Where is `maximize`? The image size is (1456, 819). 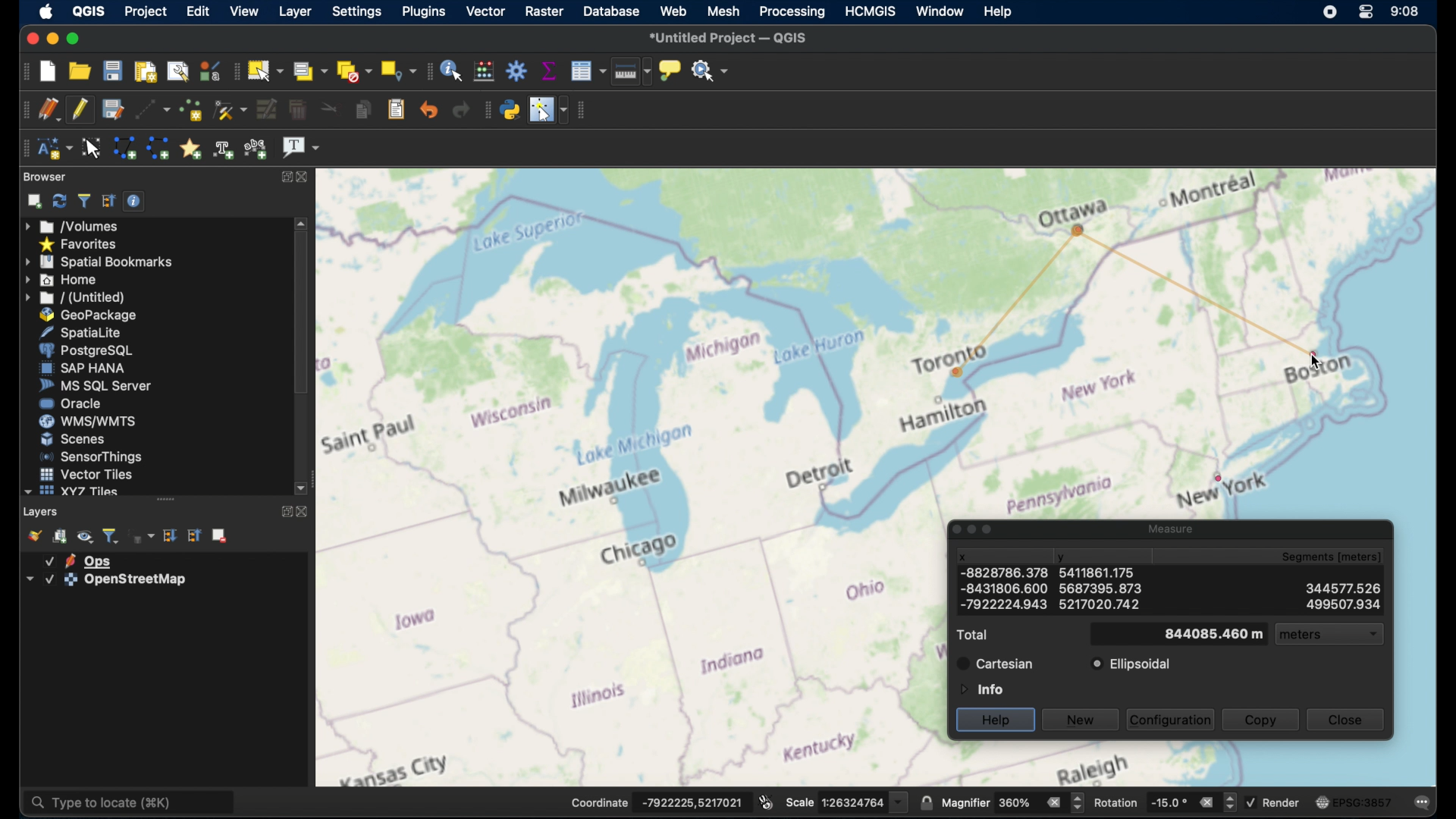
maximize is located at coordinates (284, 513).